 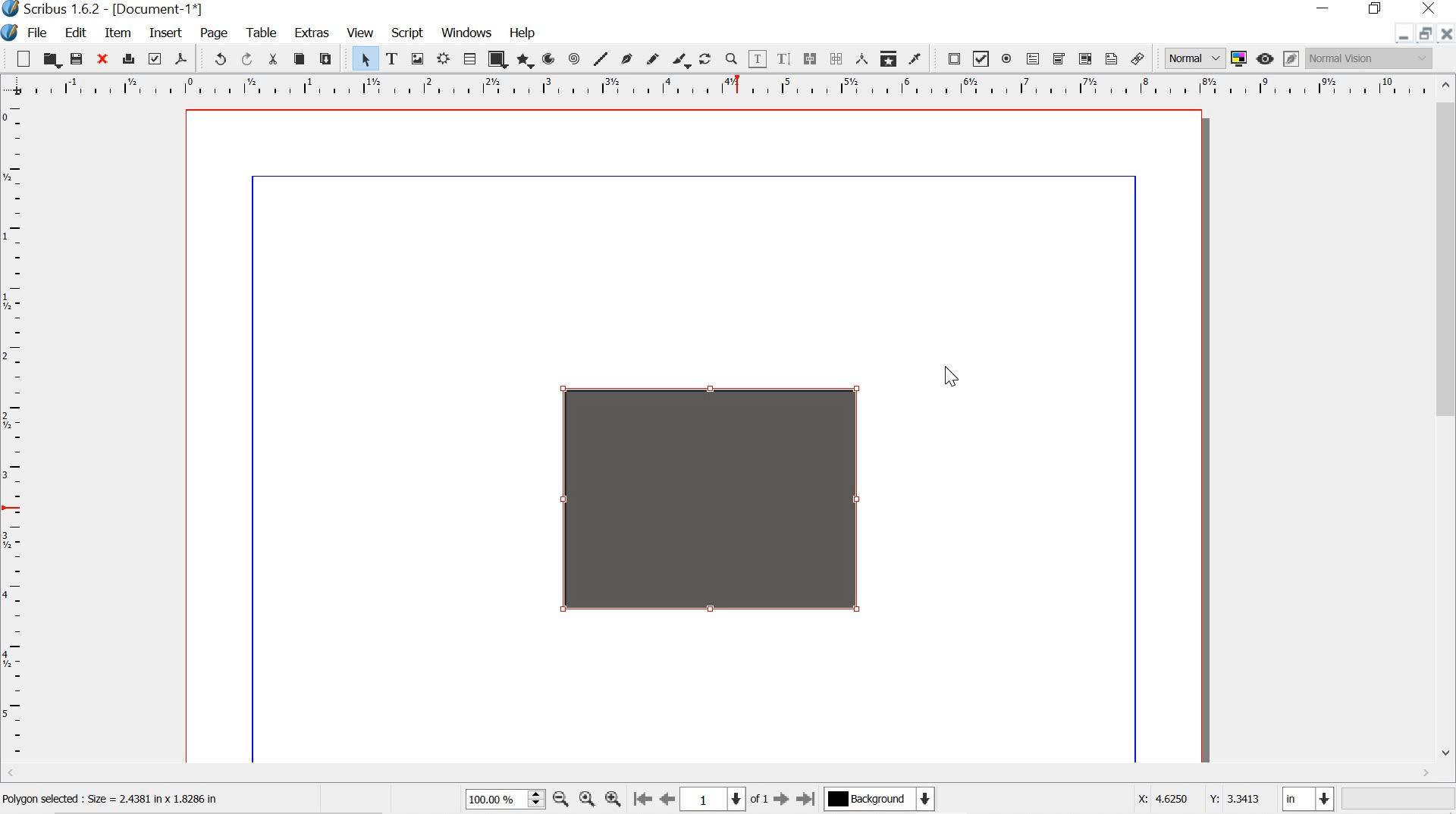 I want to click on zoom in, so click(x=611, y=801).